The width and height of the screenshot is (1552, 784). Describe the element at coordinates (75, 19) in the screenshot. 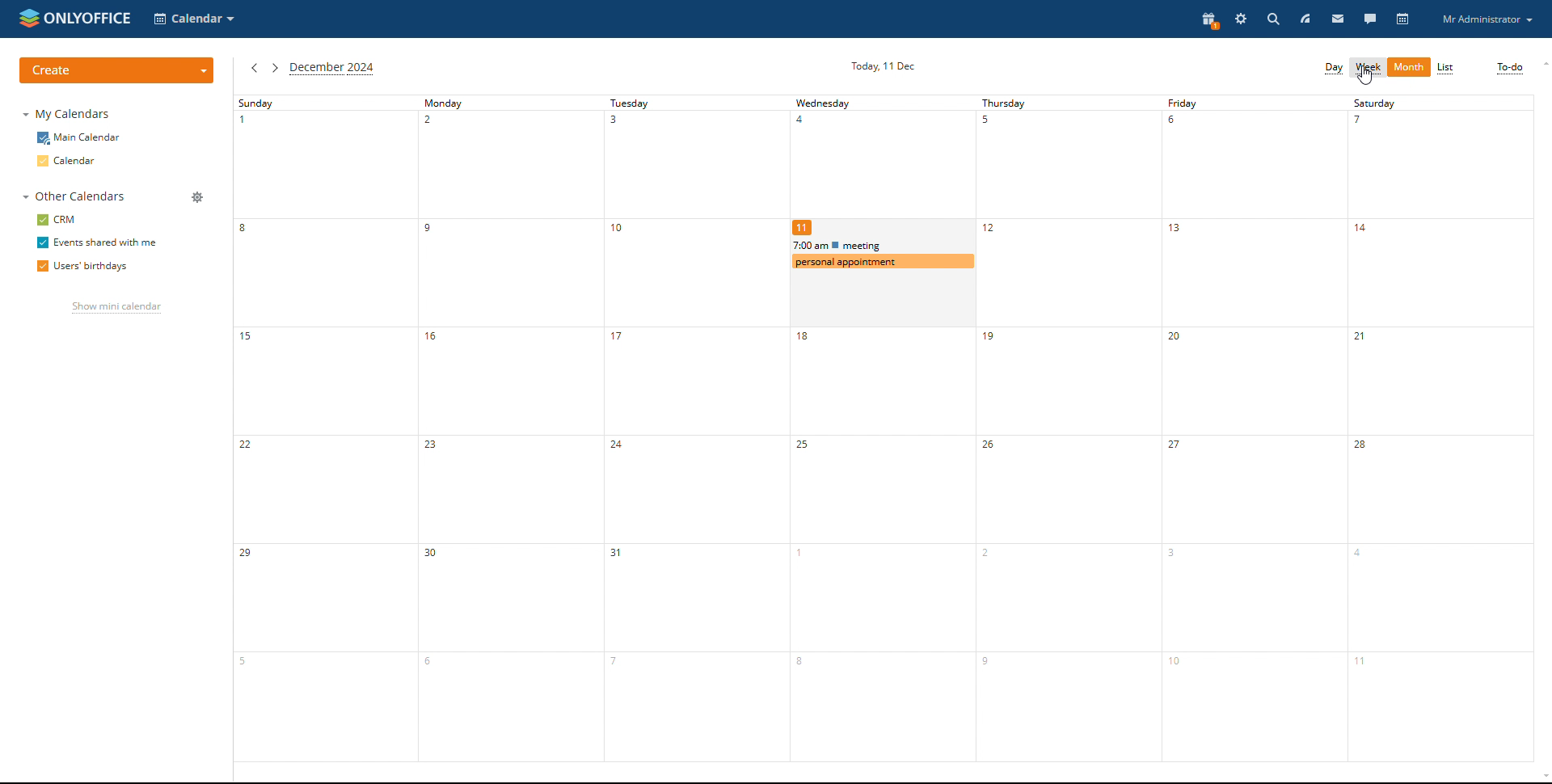

I see `logo` at that location.